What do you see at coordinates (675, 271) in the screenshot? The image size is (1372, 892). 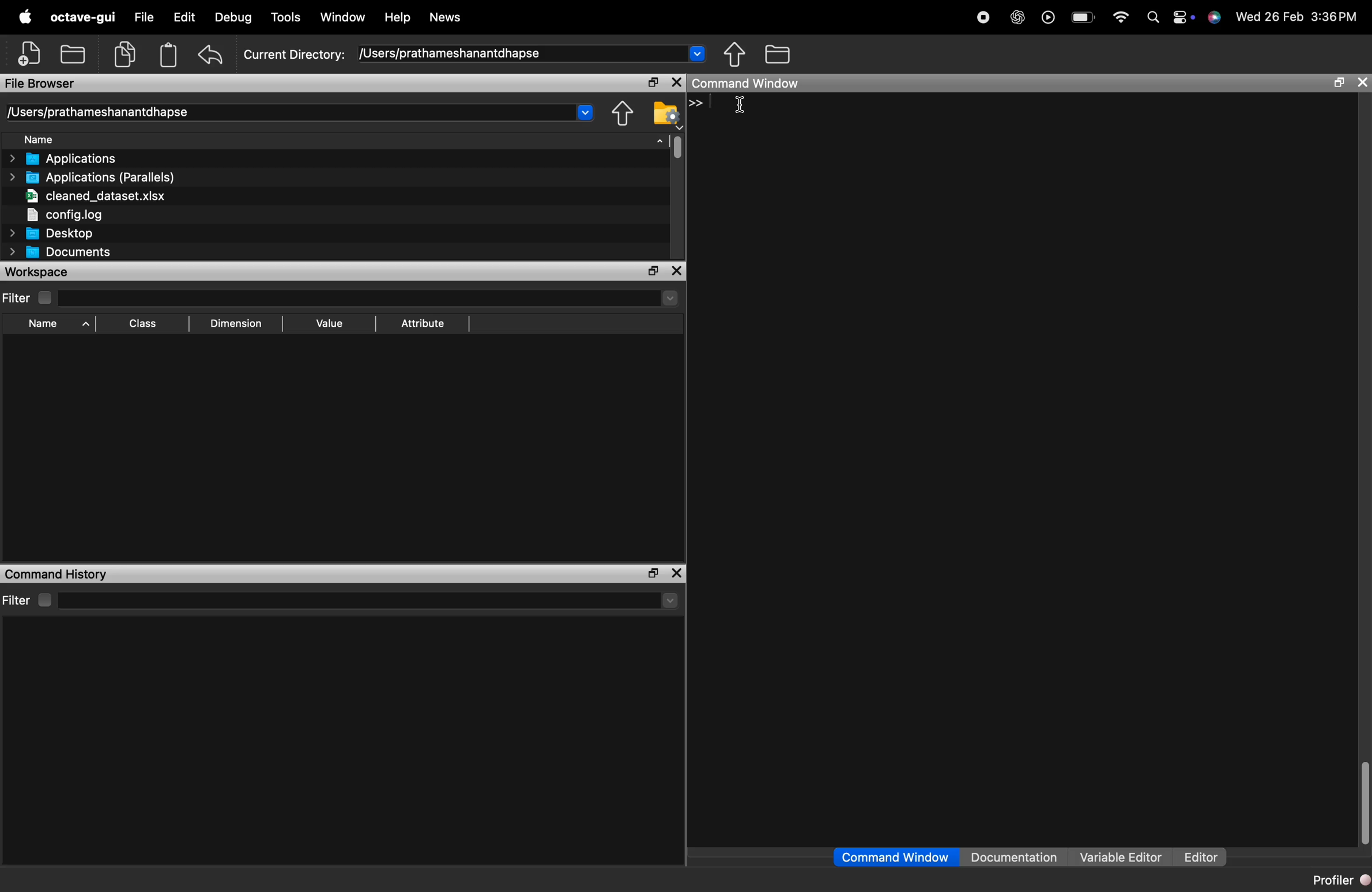 I see `close` at bounding box center [675, 271].